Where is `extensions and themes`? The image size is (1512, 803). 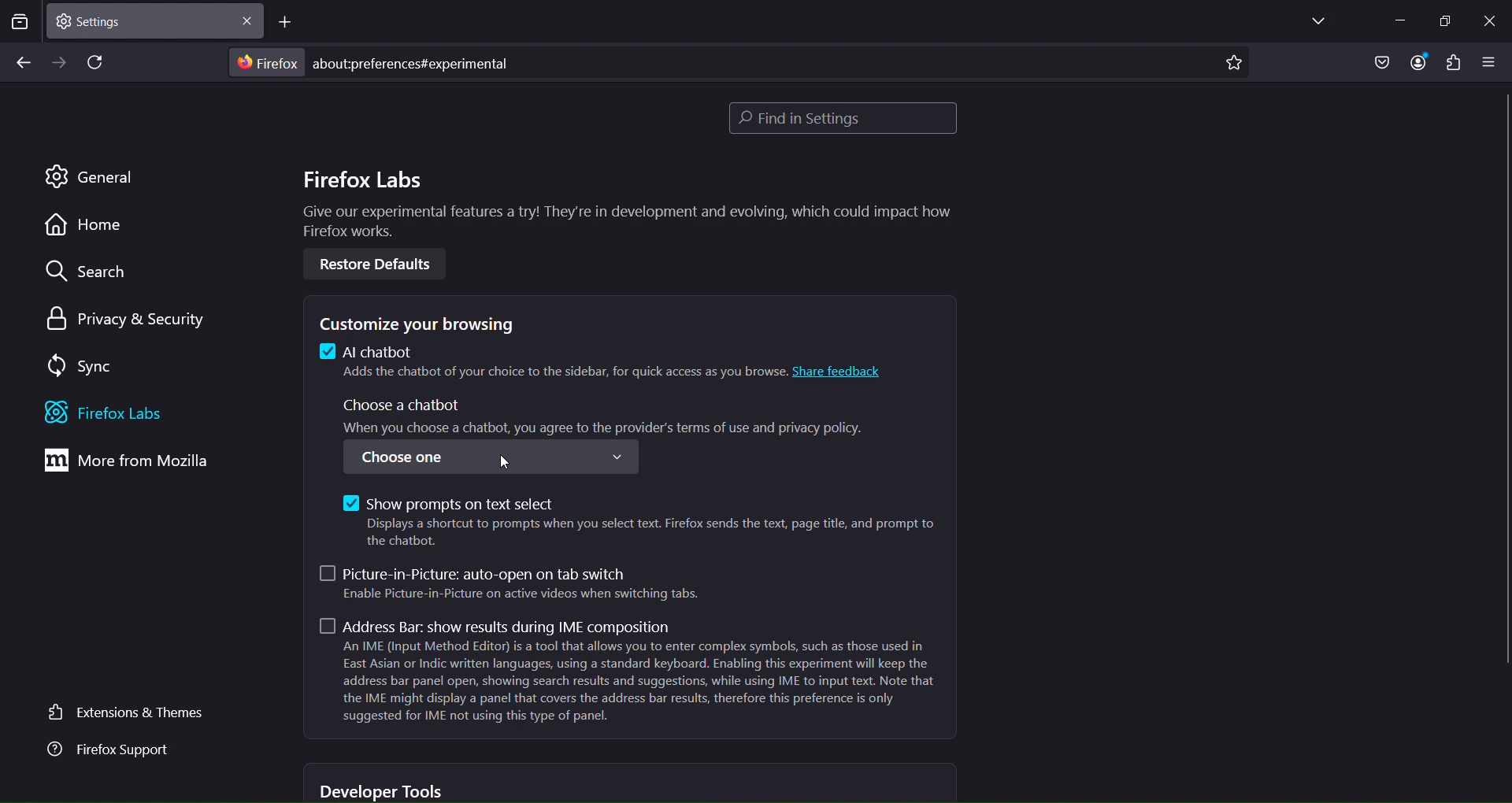 extensions and themes is located at coordinates (124, 711).